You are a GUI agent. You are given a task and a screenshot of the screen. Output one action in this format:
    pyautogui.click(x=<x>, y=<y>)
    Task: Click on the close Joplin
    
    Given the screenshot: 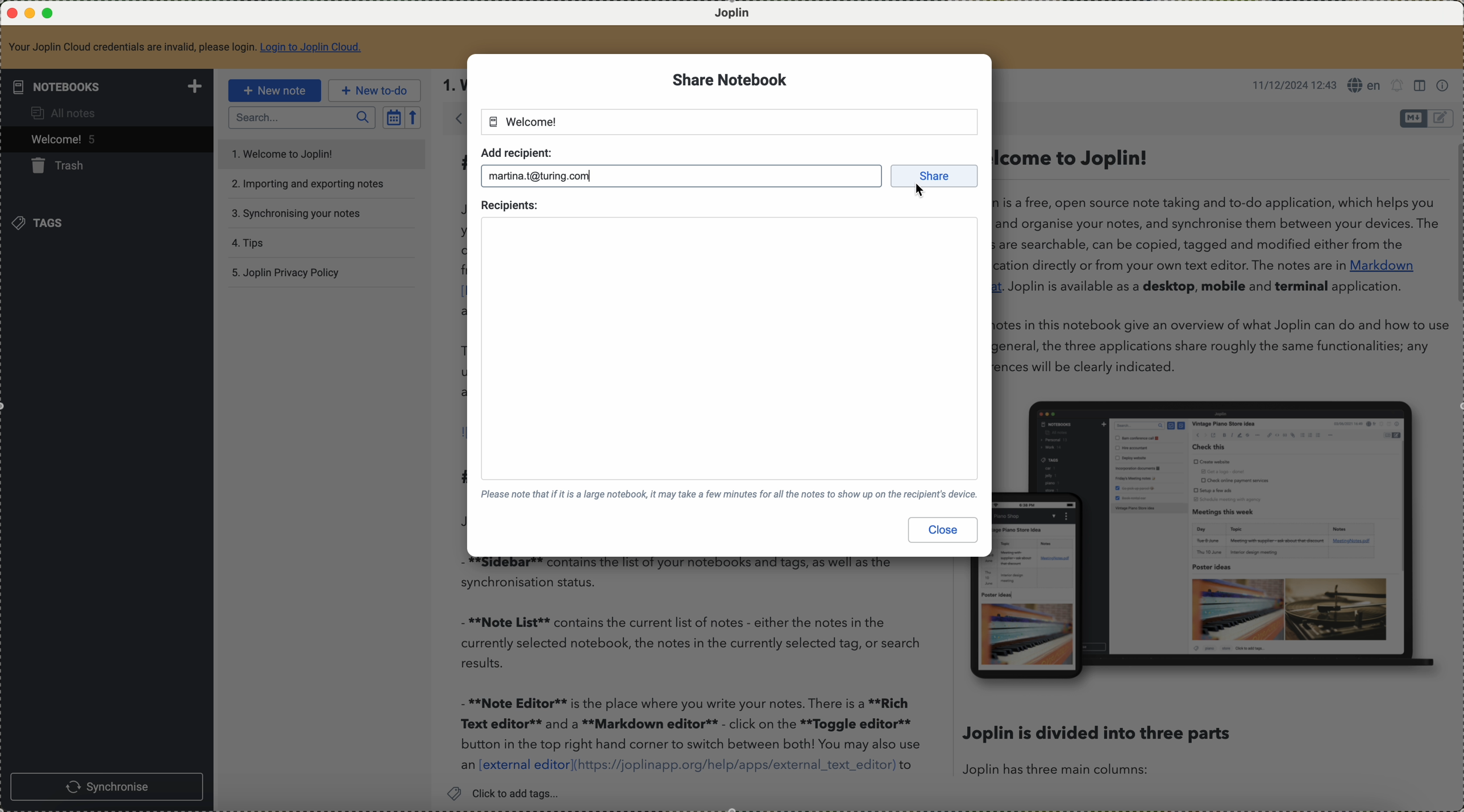 What is the action you would take?
    pyautogui.click(x=11, y=14)
    